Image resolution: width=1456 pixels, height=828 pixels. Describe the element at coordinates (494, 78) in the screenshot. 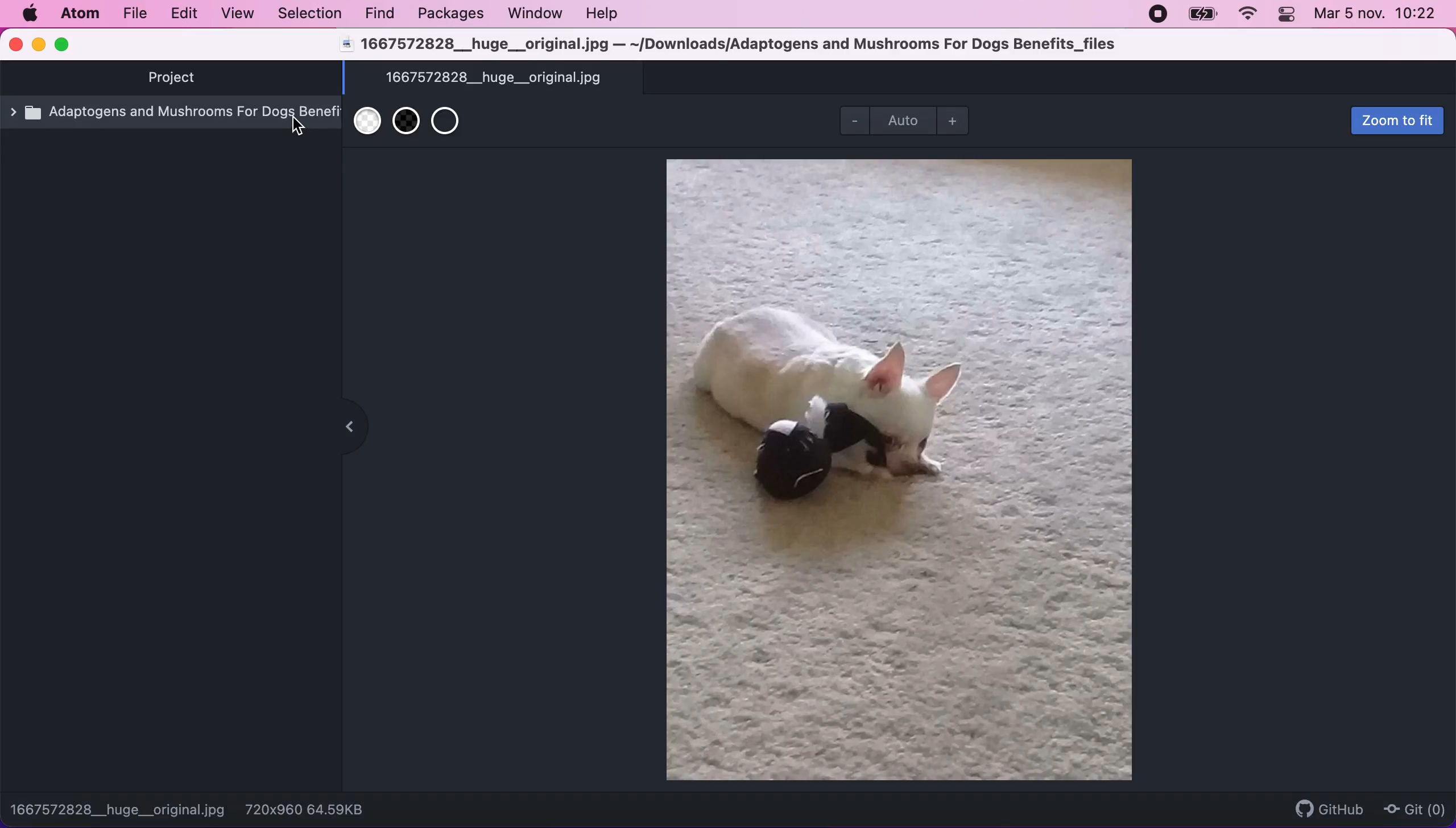

I see `1667572828__huge__original.jpg` at that location.